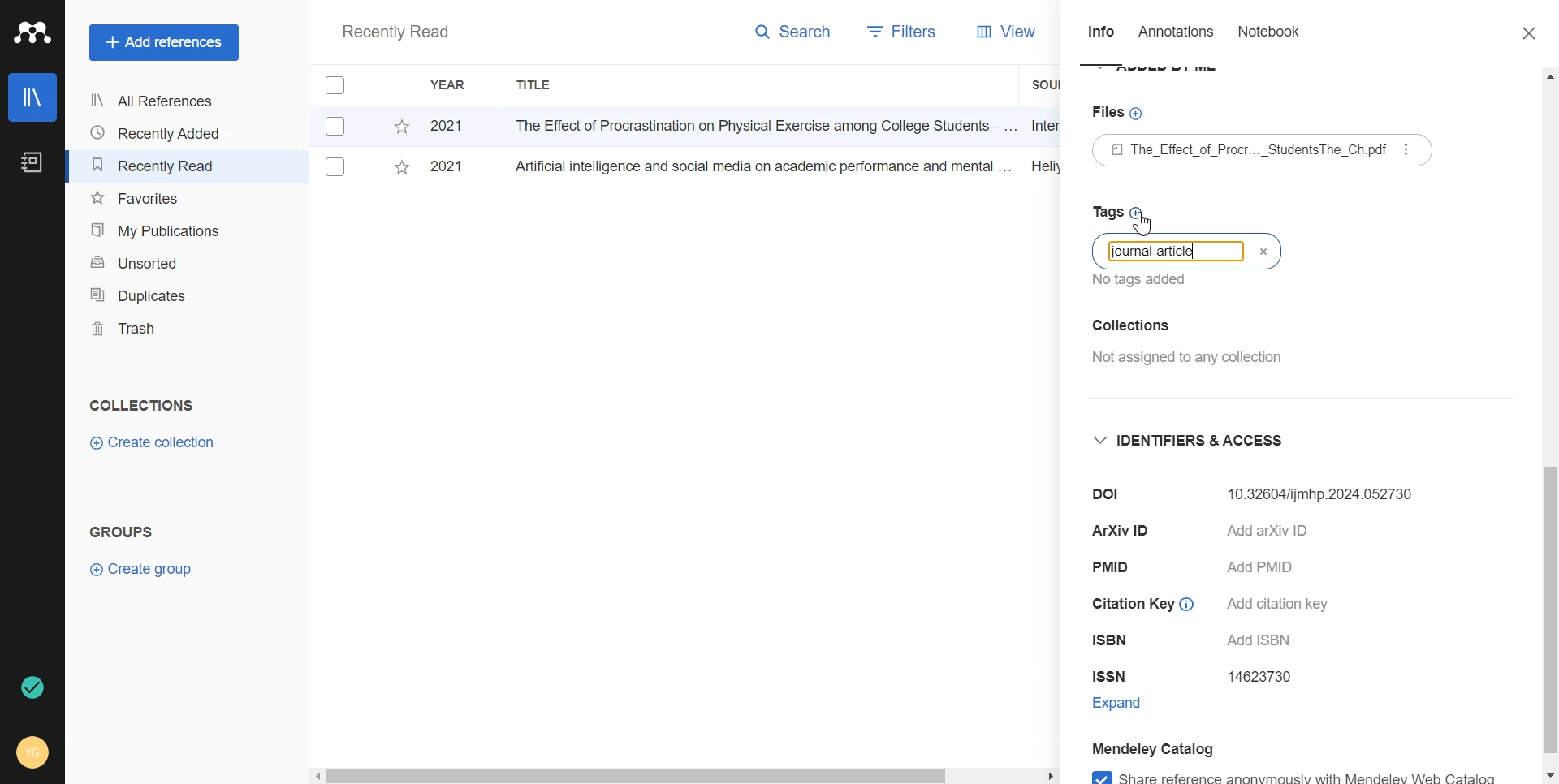 The width and height of the screenshot is (1559, 784). Describe the element at coordinates (142, 567) in the screenshot. I see `Create group` at that location.